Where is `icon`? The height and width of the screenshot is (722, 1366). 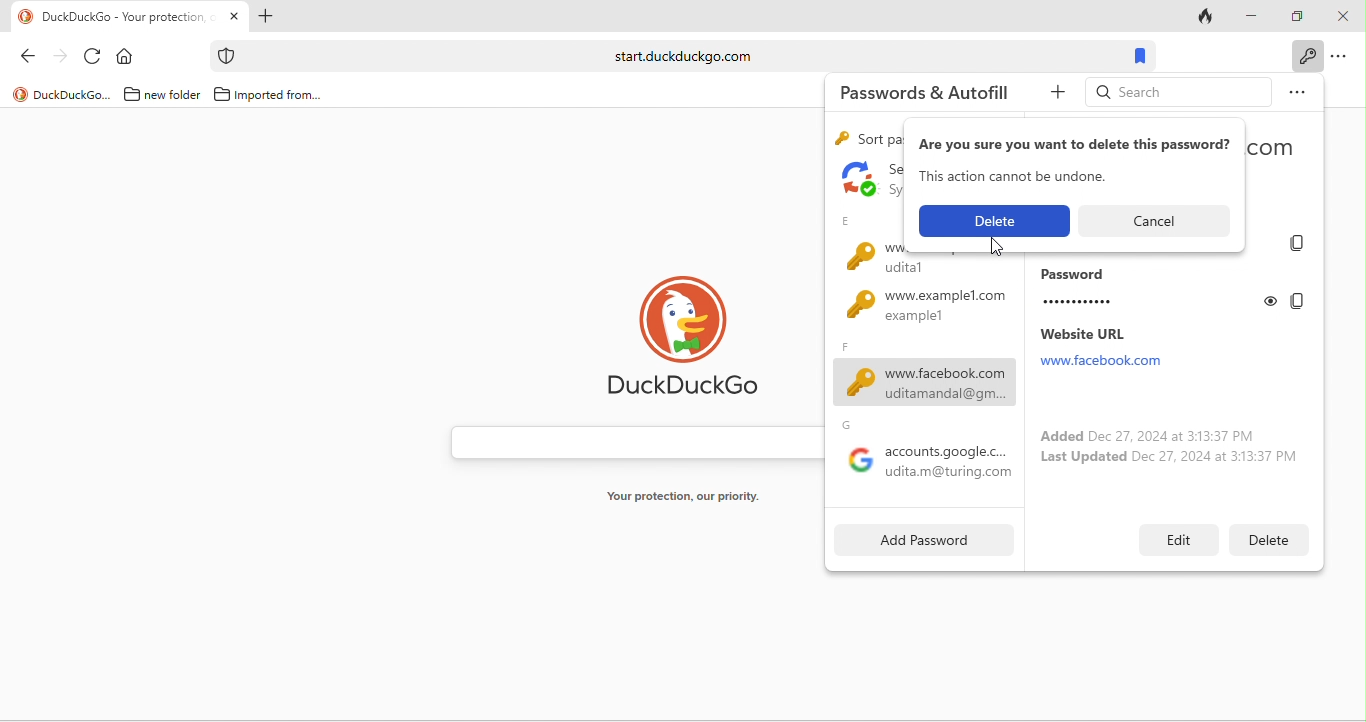 icon is located at coordinates (843, 138).